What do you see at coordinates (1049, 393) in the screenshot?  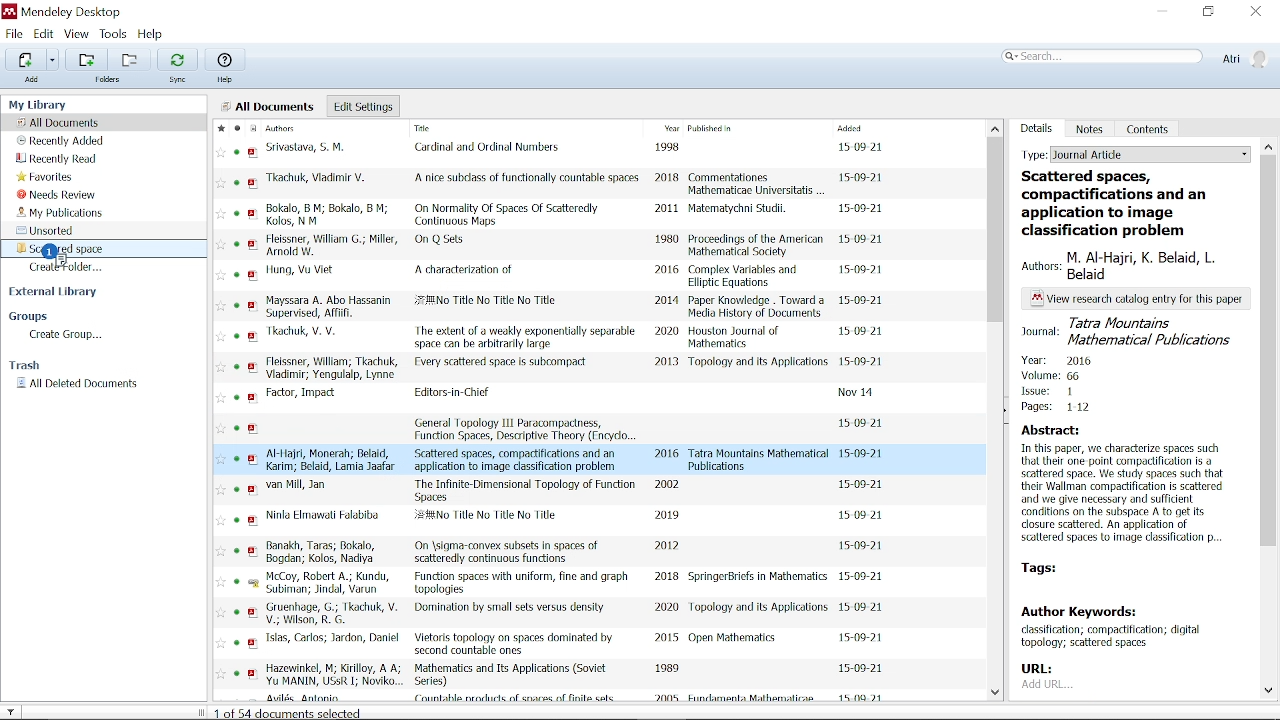 I see `issue` at bounding box center [1049, 393].